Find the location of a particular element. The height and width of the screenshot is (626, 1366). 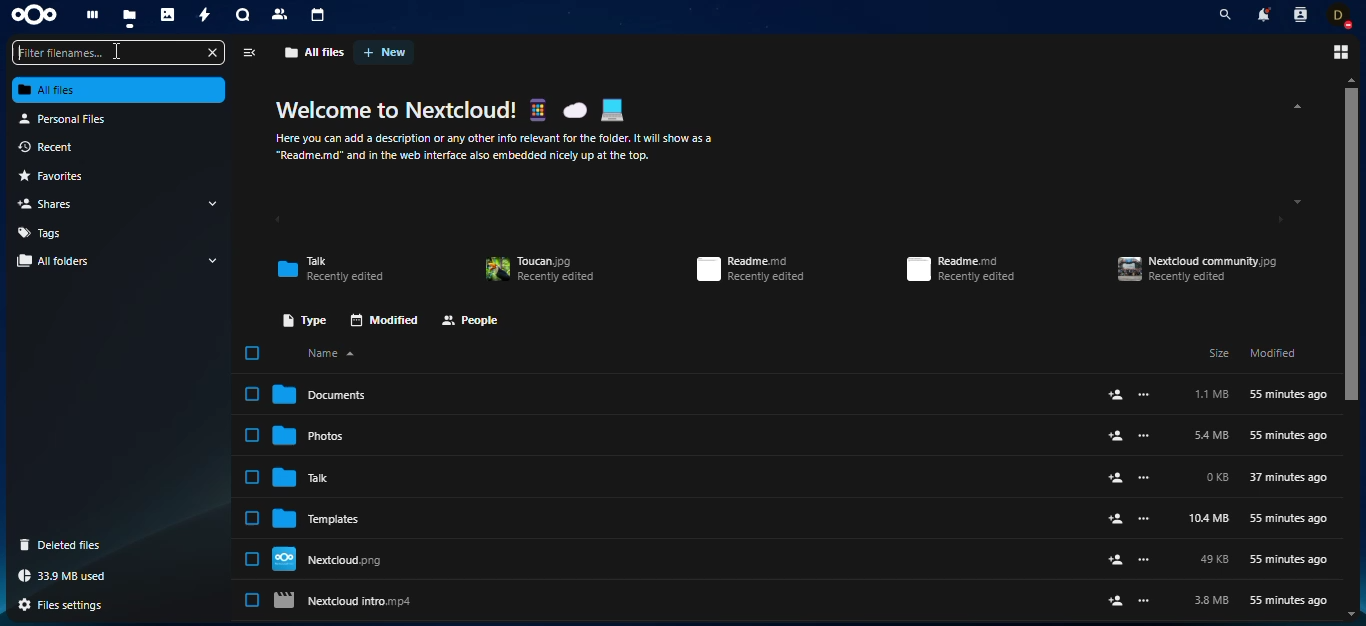

contact is located at coordinates (281, 14).